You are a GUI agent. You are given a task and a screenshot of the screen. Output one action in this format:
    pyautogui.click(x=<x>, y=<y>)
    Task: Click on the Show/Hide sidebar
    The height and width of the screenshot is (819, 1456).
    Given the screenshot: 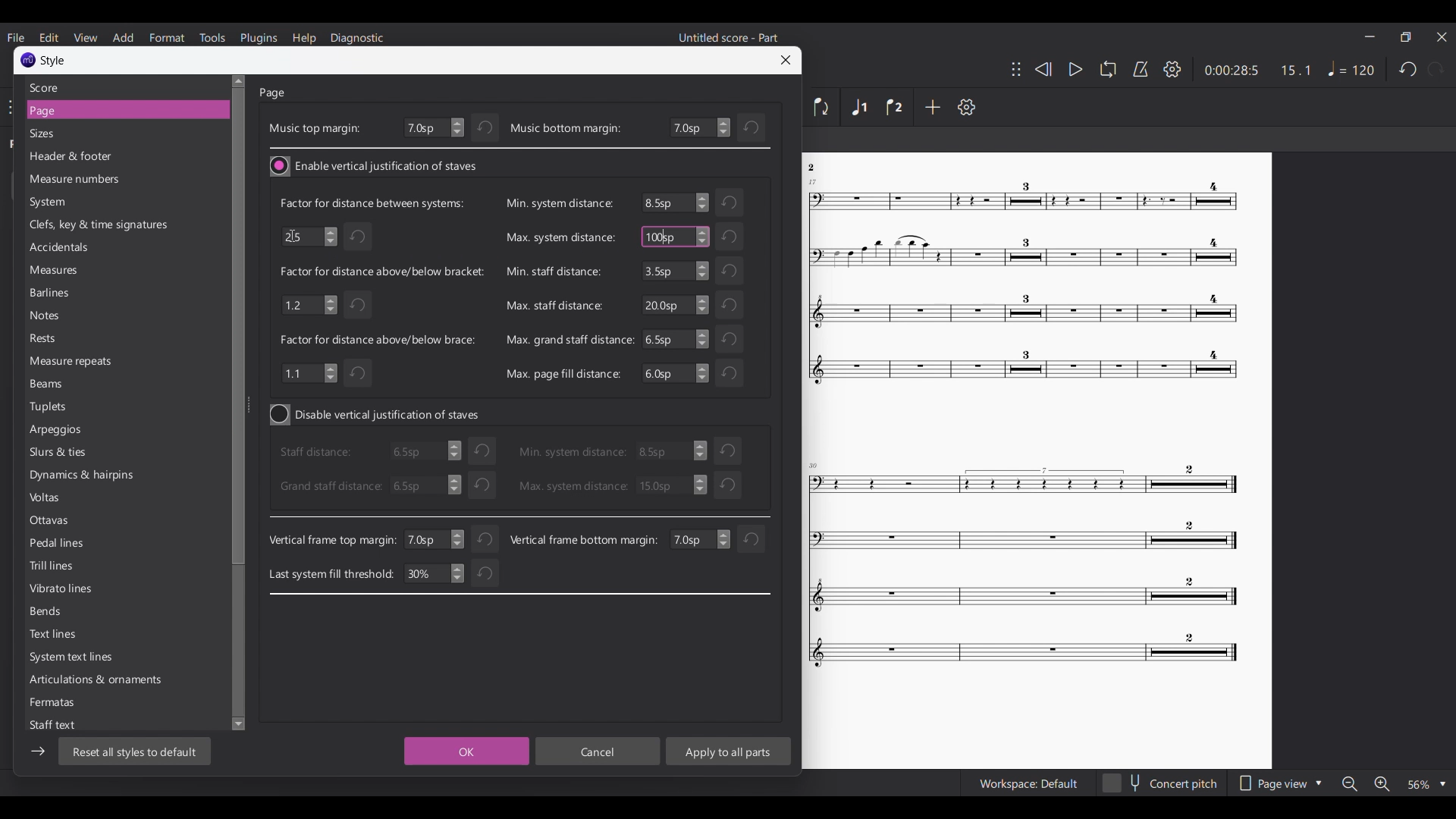 What is the action you would take?
    pyautogui.click(x=38, y=752)
    